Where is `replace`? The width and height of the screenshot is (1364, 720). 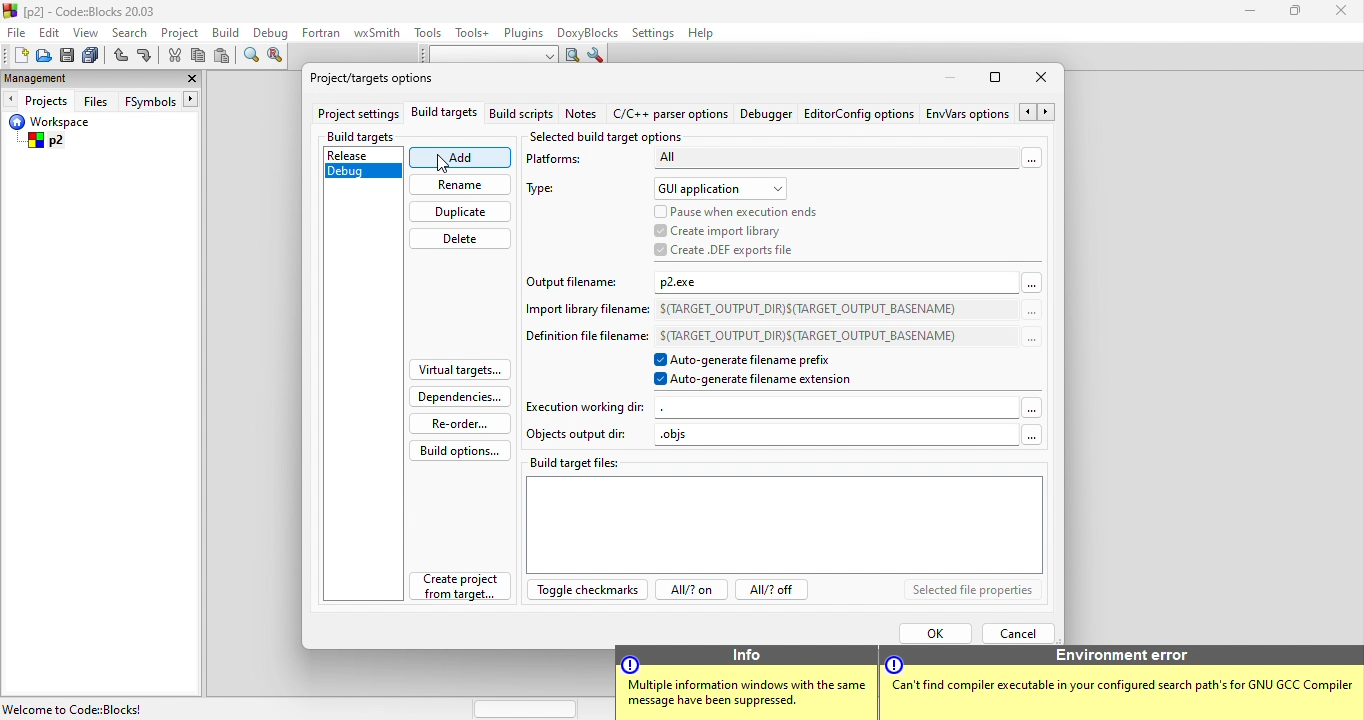 replace is located at coordinates (279, 56).